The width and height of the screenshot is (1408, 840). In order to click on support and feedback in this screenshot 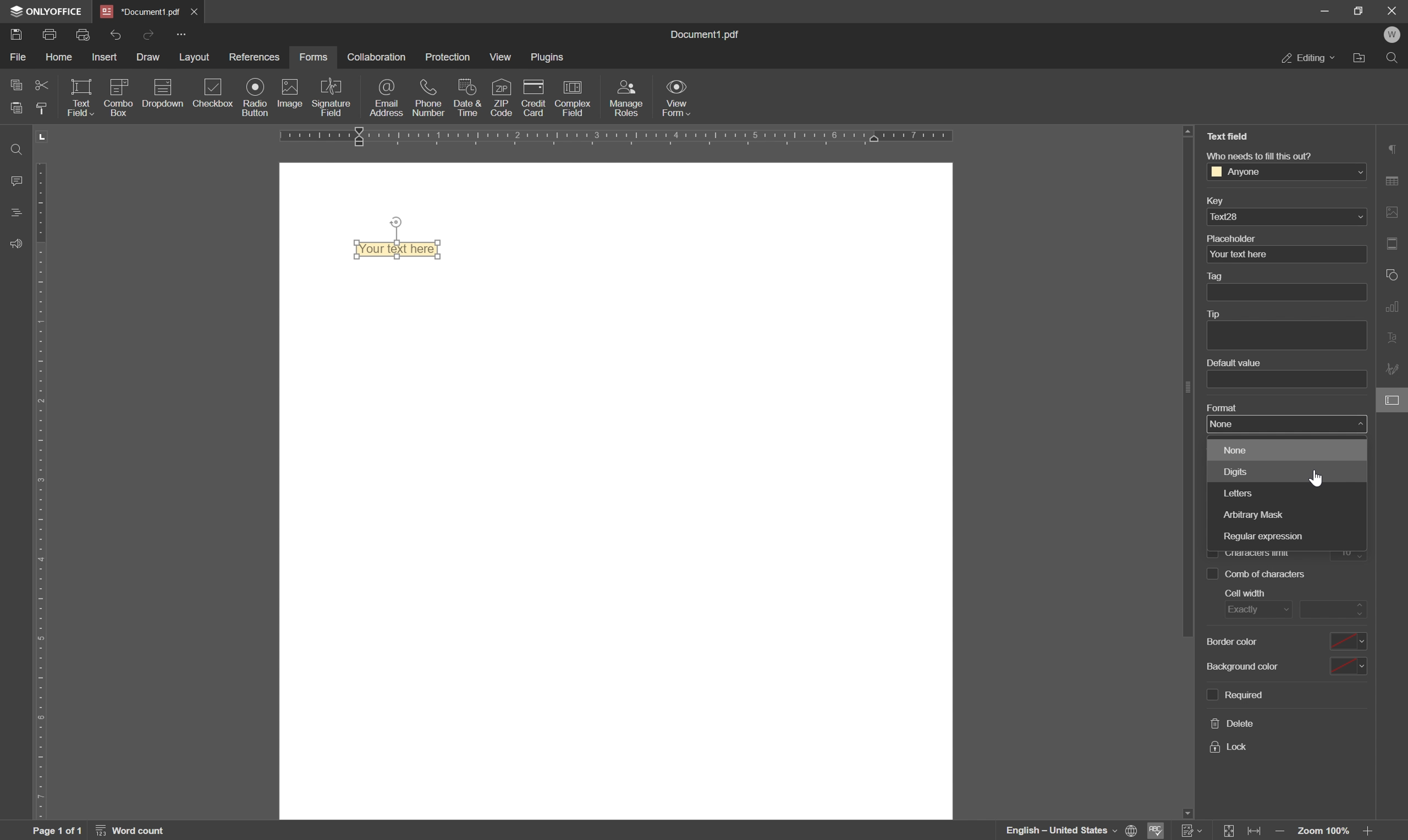, I will do `click(11, 242)`.